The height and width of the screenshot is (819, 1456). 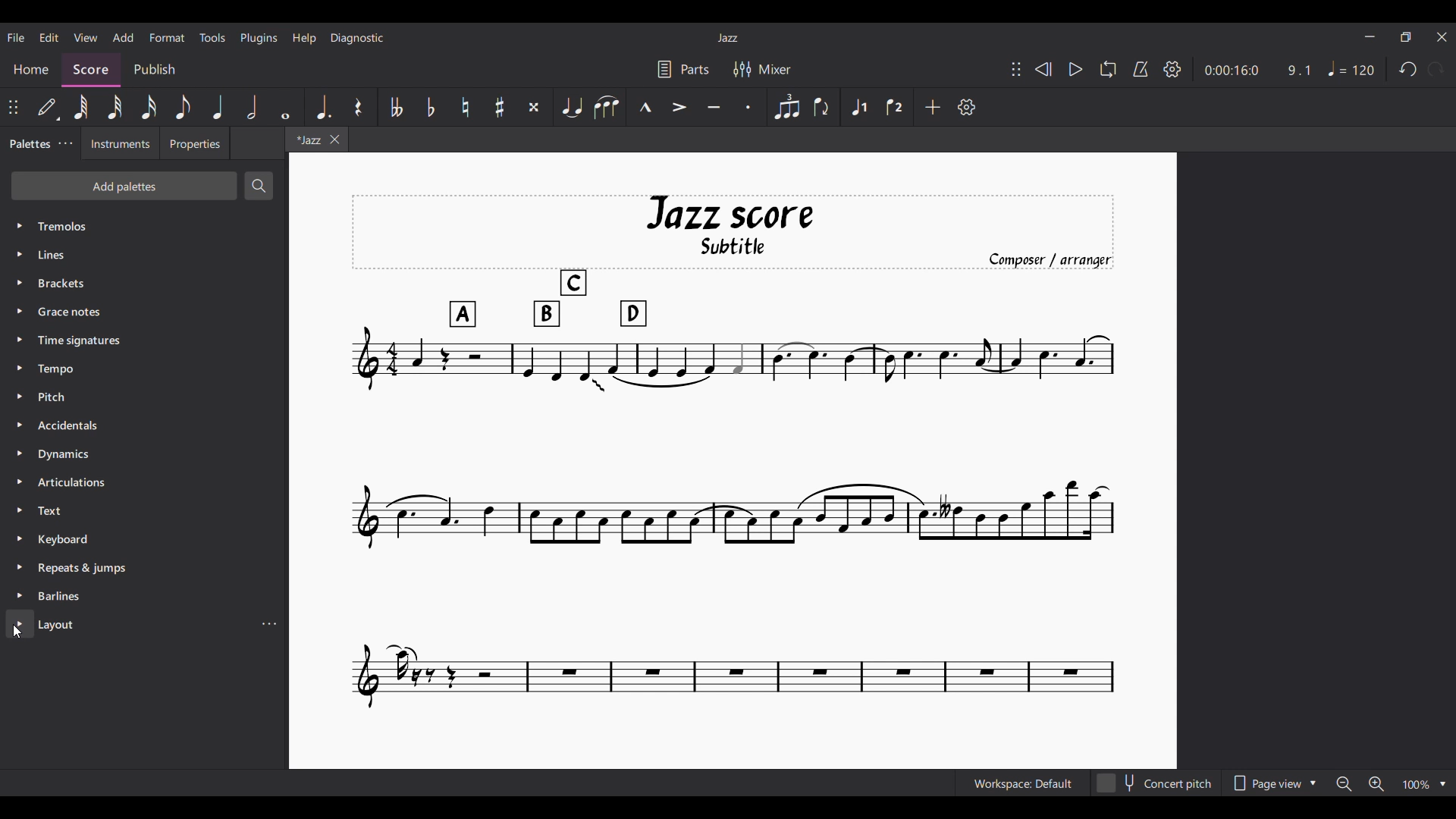 What do you see at coordinates (1442, 37) in the screenshot?
I see `Close interface` at bounding box center [1442, 37].